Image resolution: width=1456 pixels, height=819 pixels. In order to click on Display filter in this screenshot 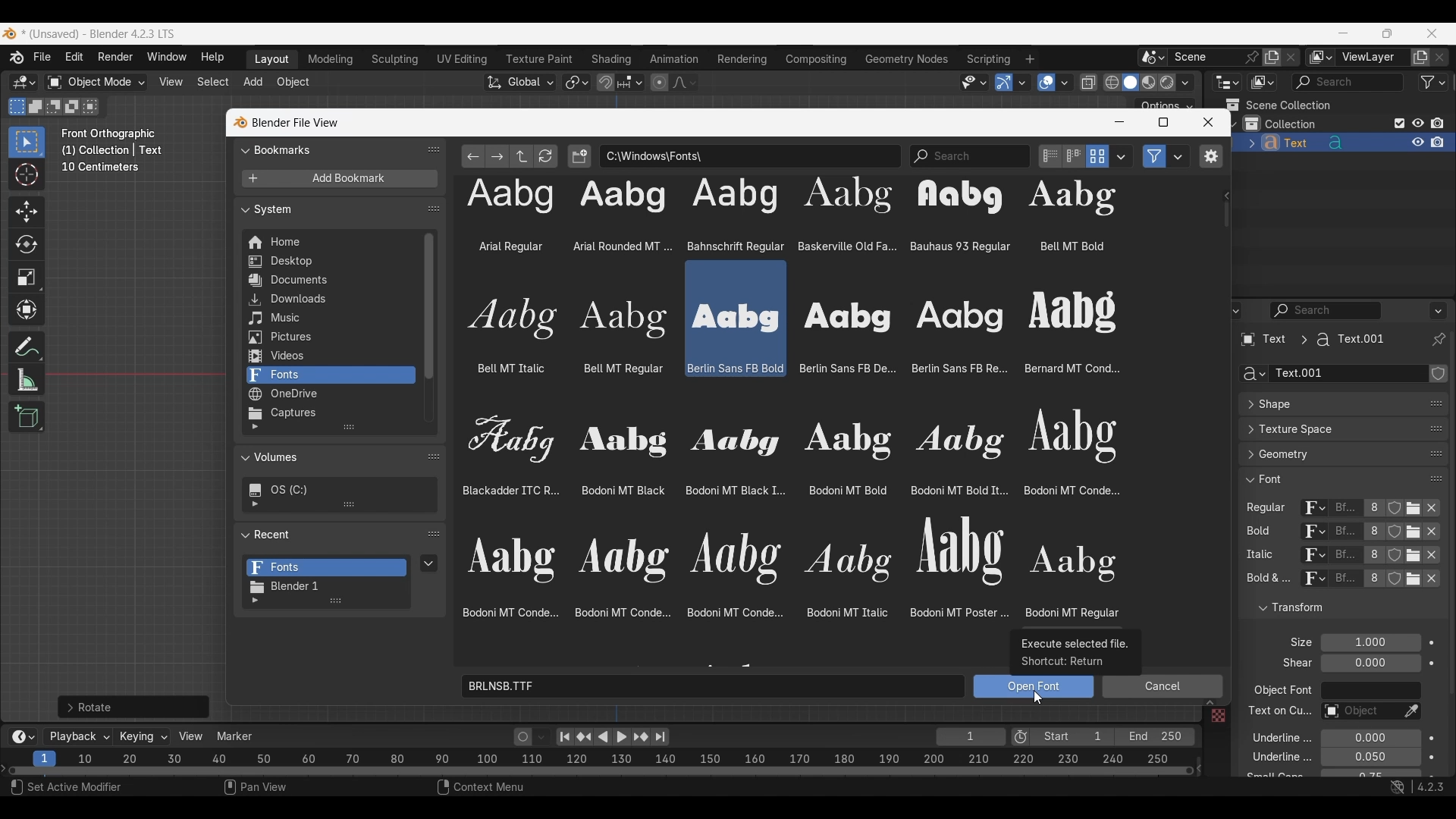, I will do `click(1348, 82)`.